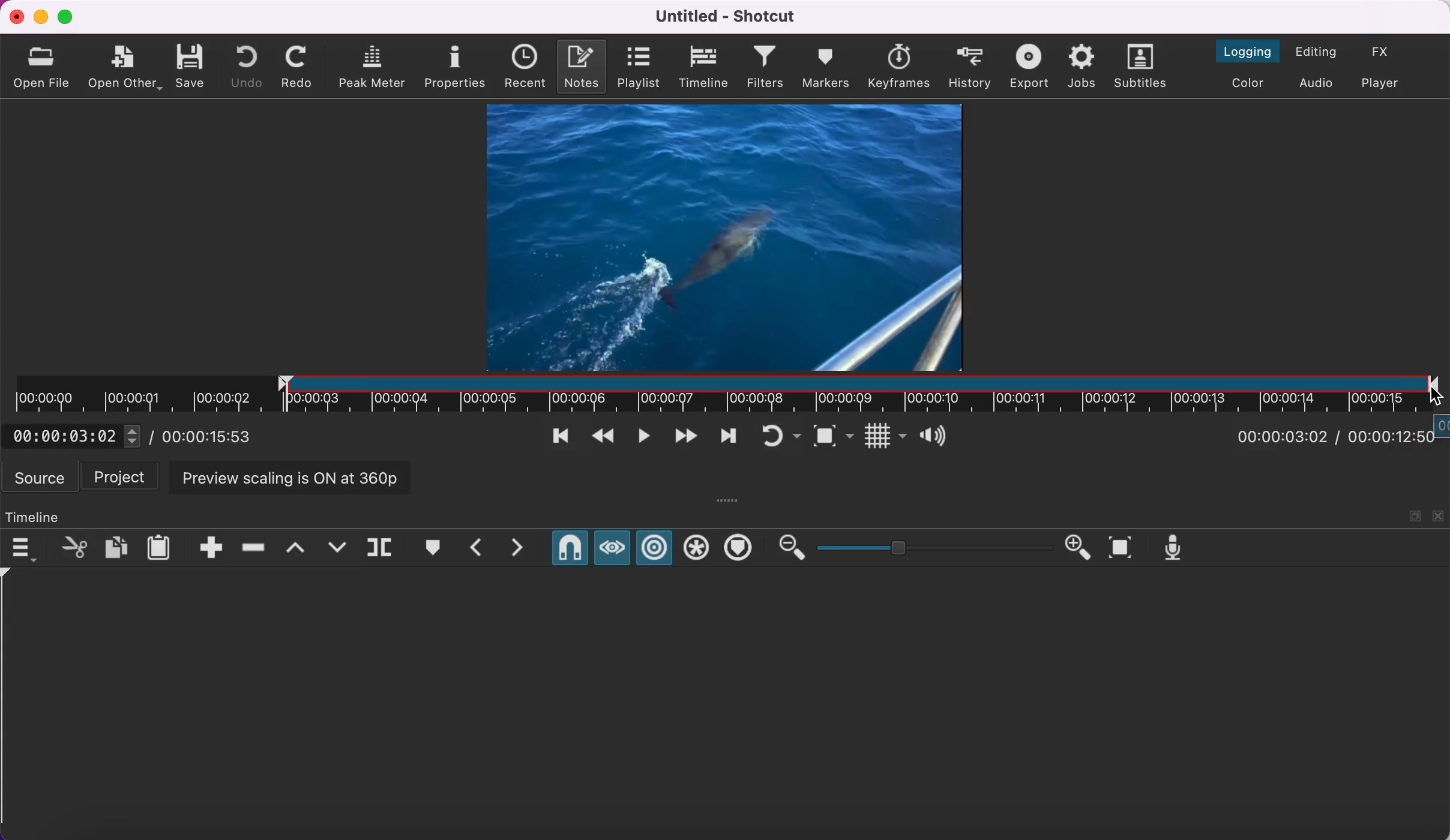 The width and height of the screenshot is (1450, 840). What do you see at coordinates (25, 546) in the screenshot?
I see `timeline menu` at bounding box center [25, 546].